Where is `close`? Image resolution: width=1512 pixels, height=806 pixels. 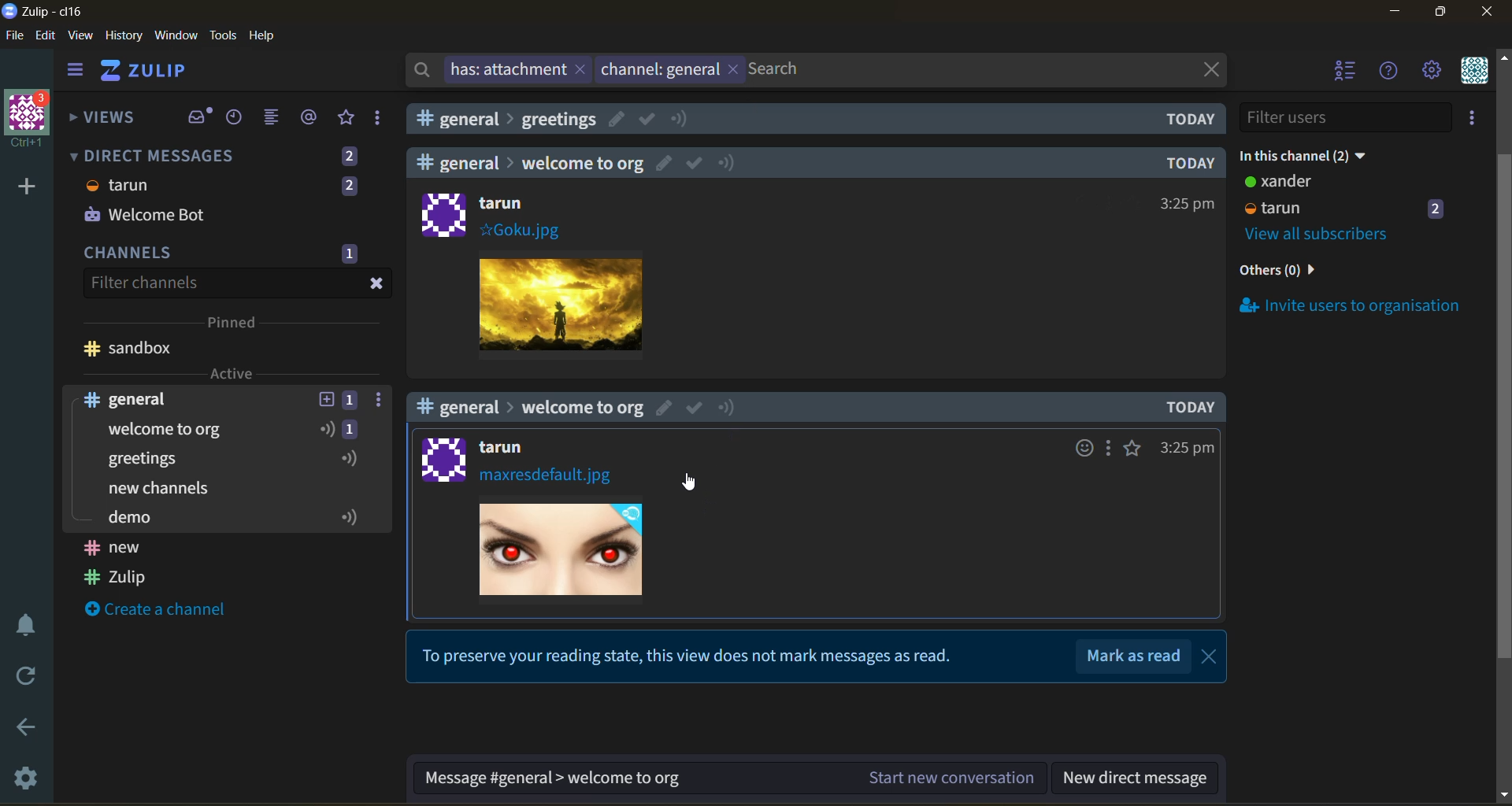
close is located at coordinates (1209, 68).